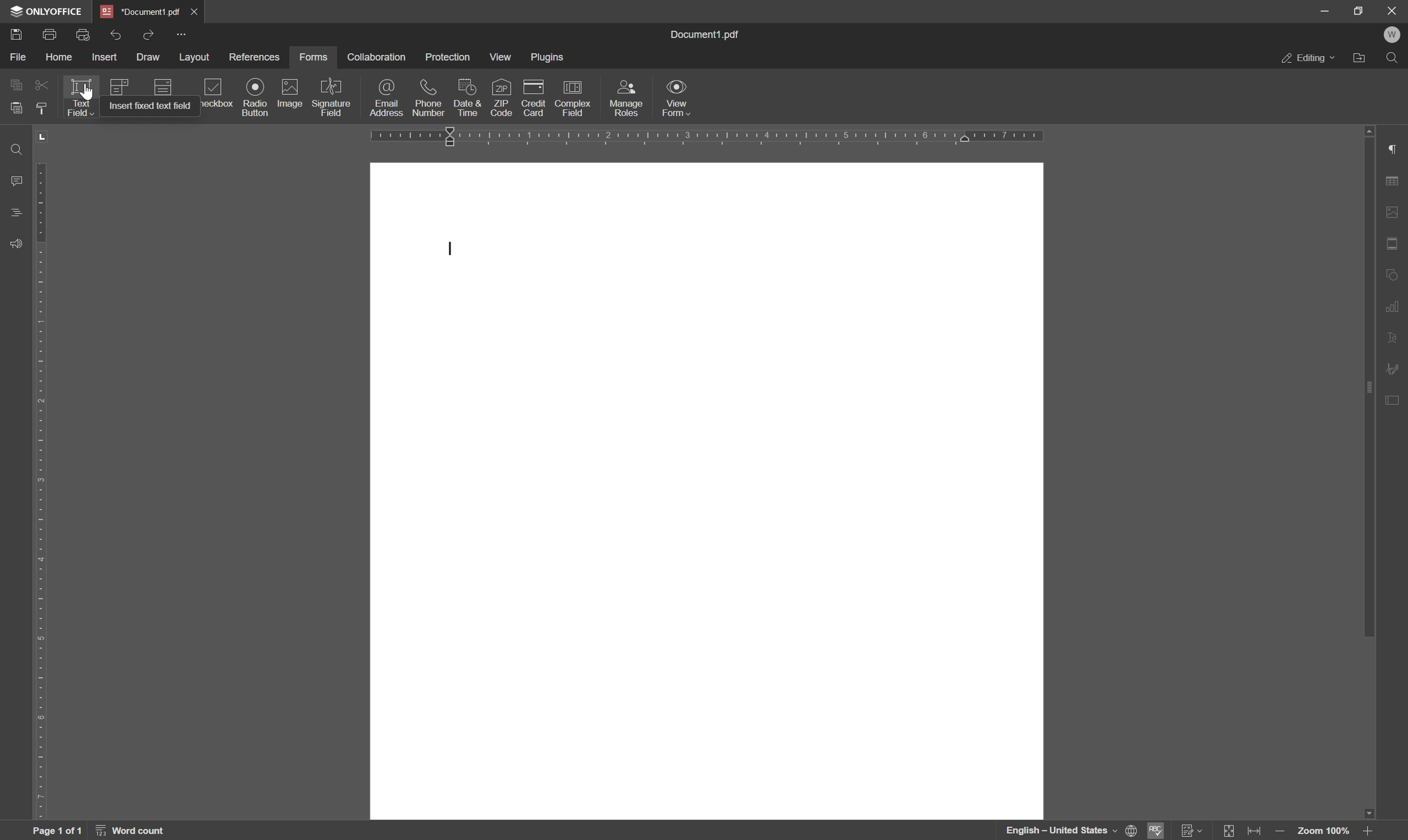 This screenshot has width=1408, height=840. I want to click on page 1 of 1, so click(56, 831).